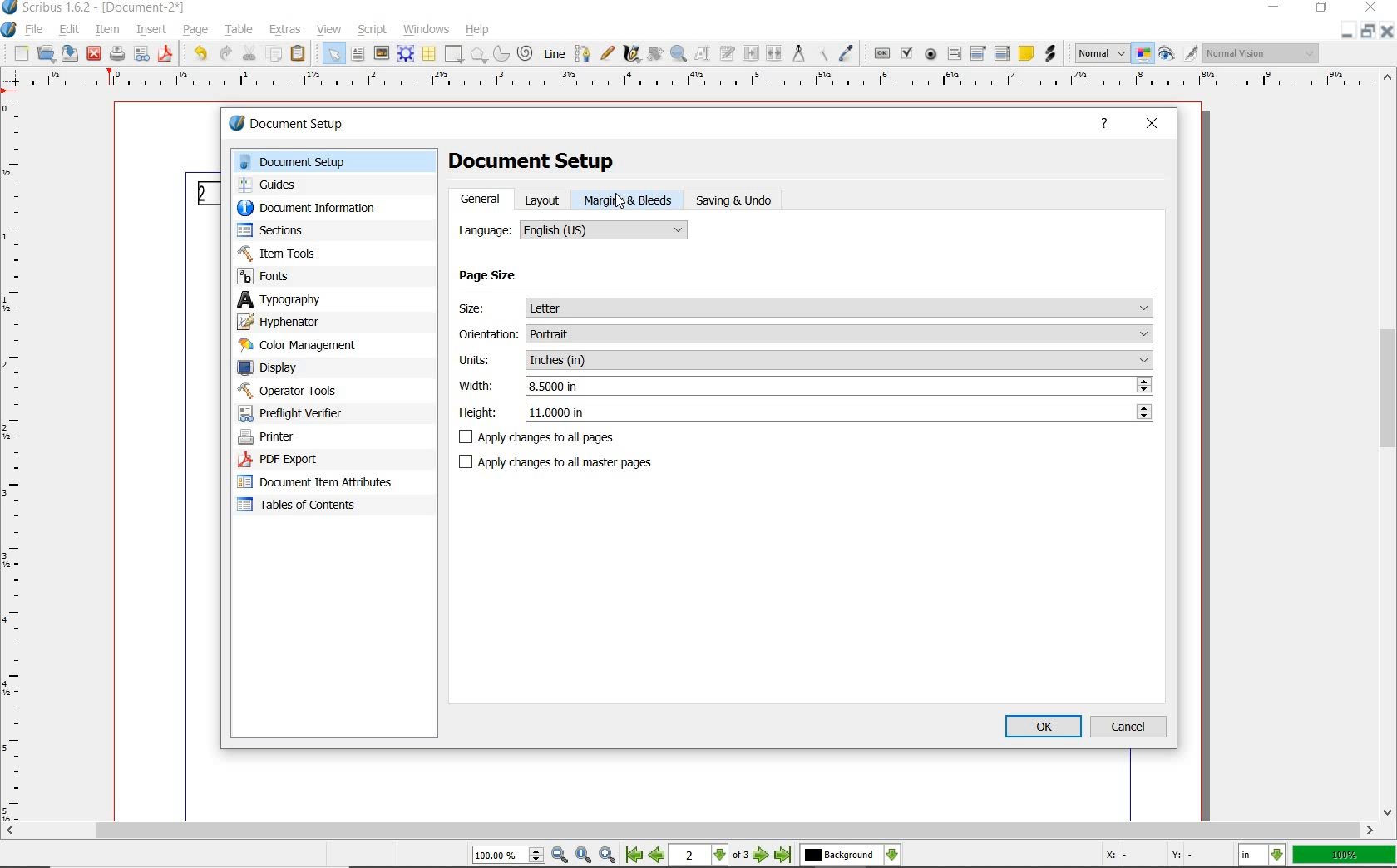  What do you see at coordinates (249, 52) in the screenshot?
I see `cut` at bounding box center [249, 52].